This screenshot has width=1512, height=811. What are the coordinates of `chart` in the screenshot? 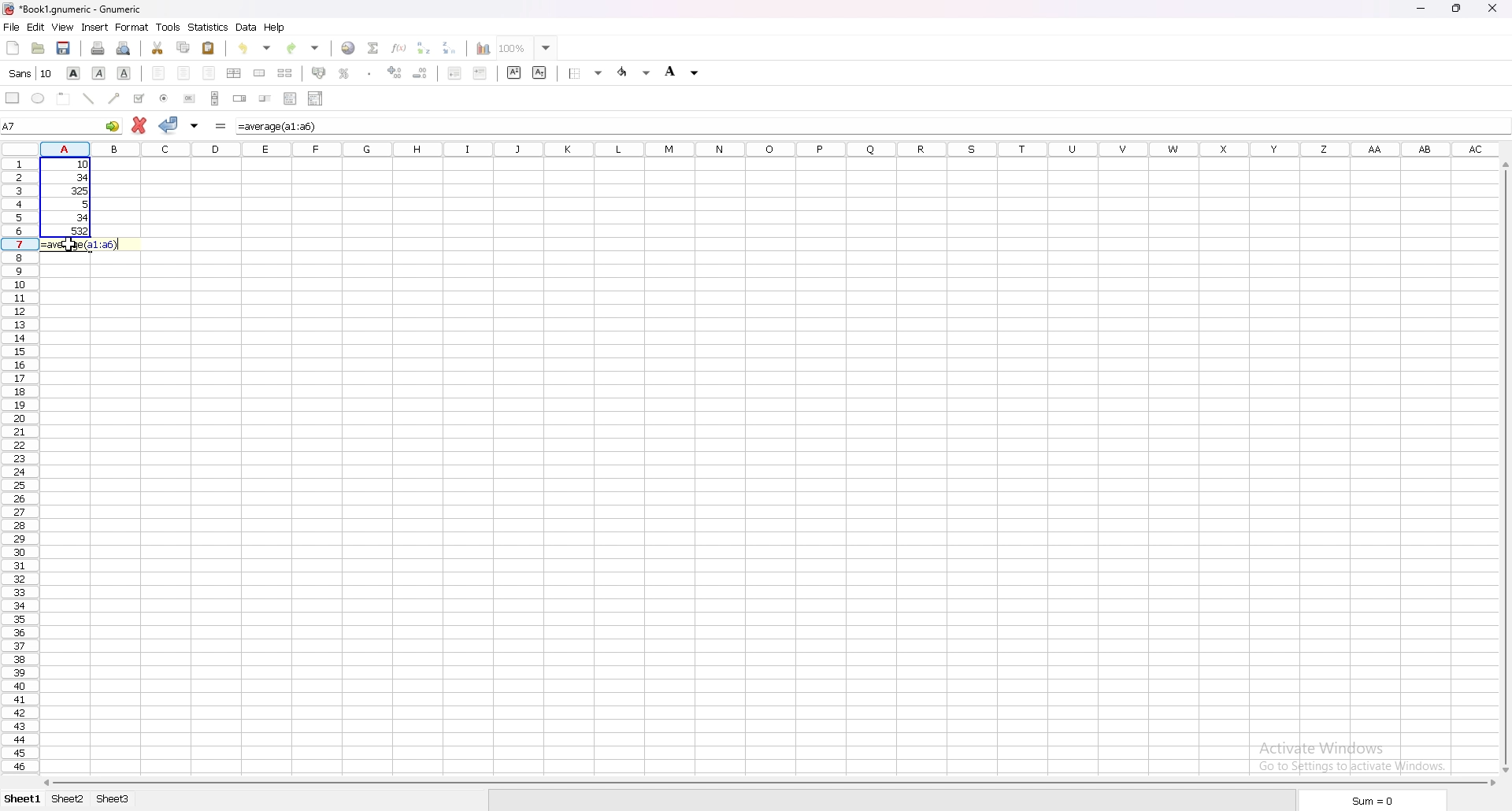 It's located at (484, 50).